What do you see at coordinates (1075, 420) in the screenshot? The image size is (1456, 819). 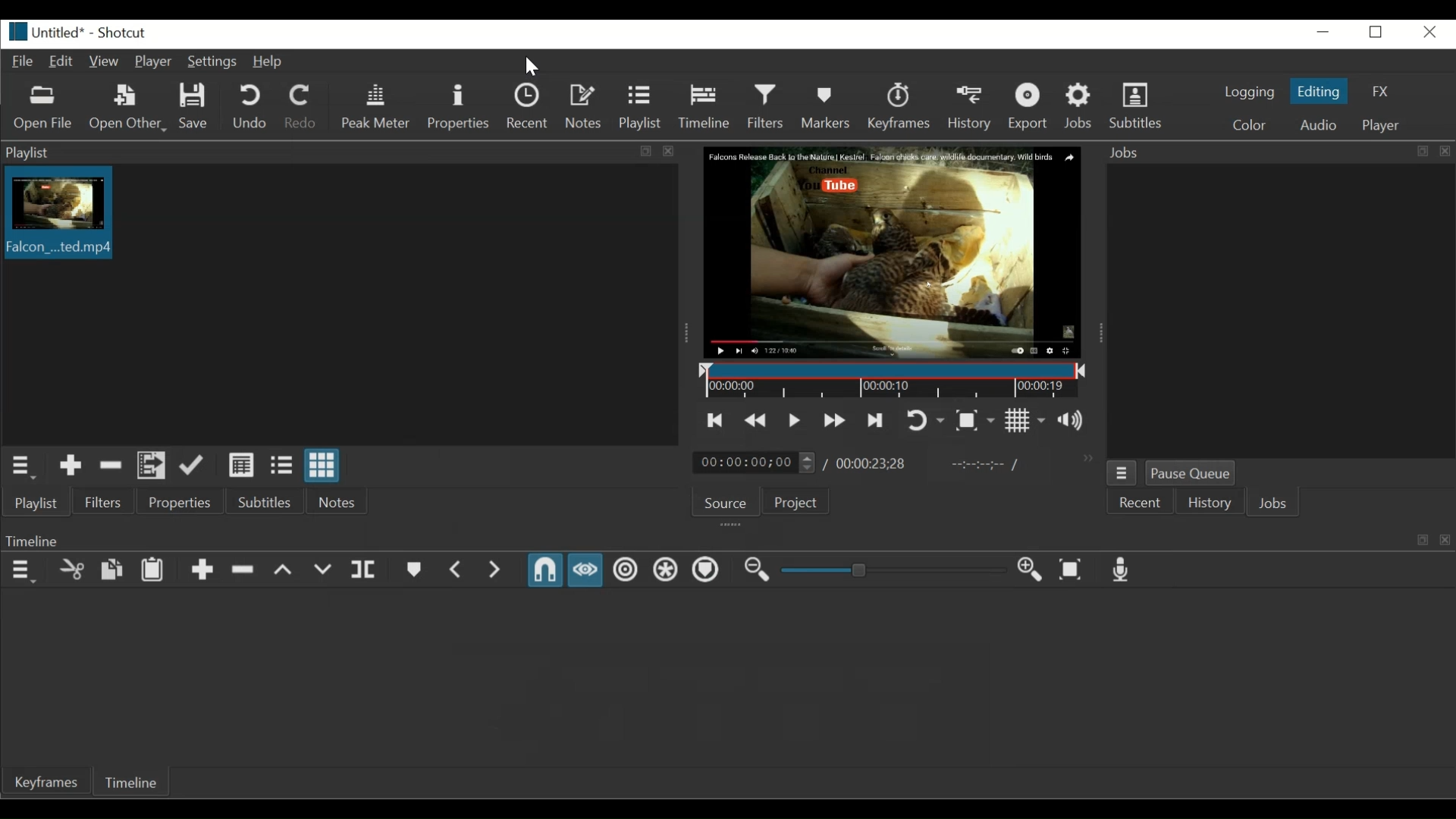 I see `Show the volume control` at bounding box center [1075, 420].